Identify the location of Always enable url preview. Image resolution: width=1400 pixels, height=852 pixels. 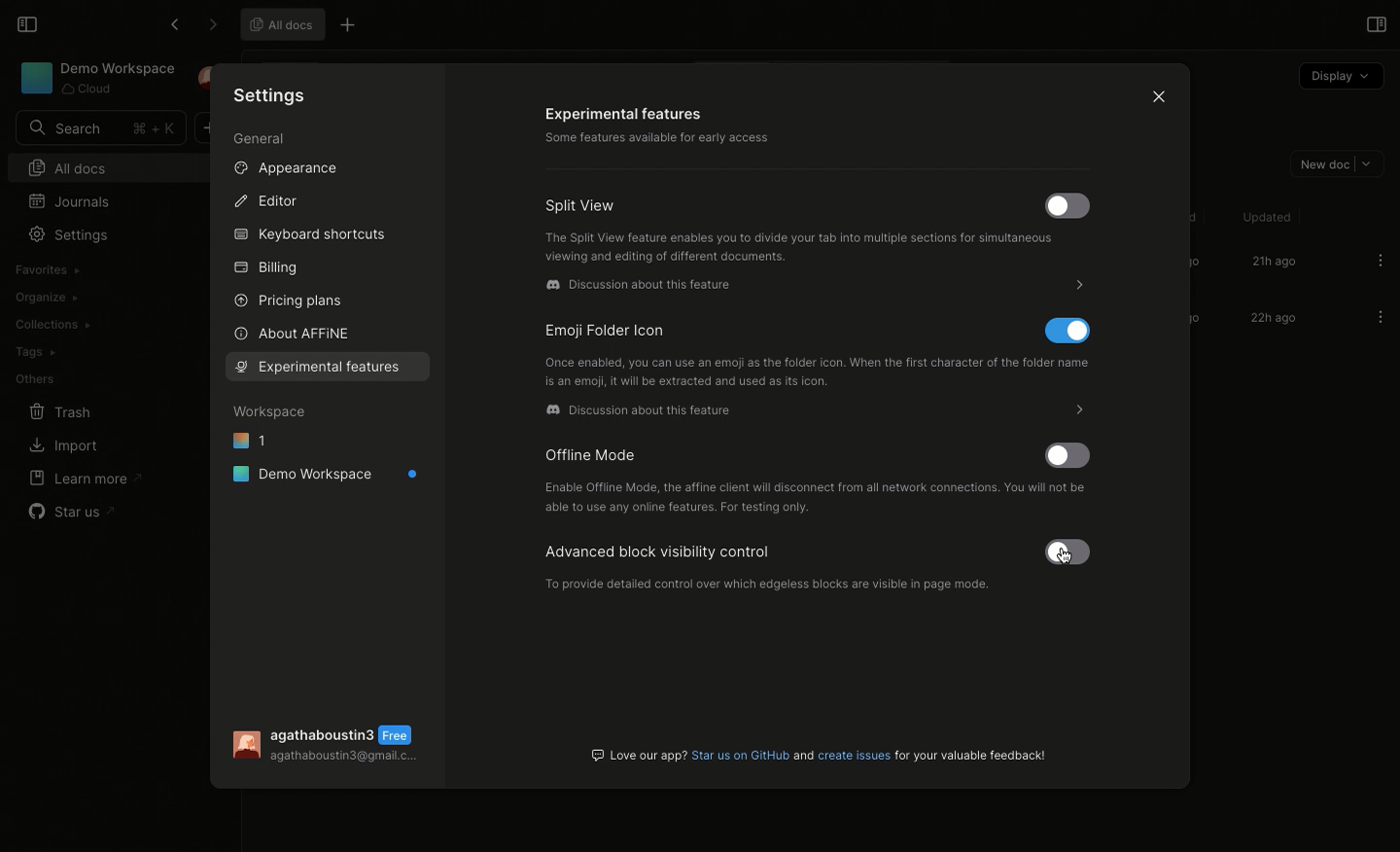
(804, 764).